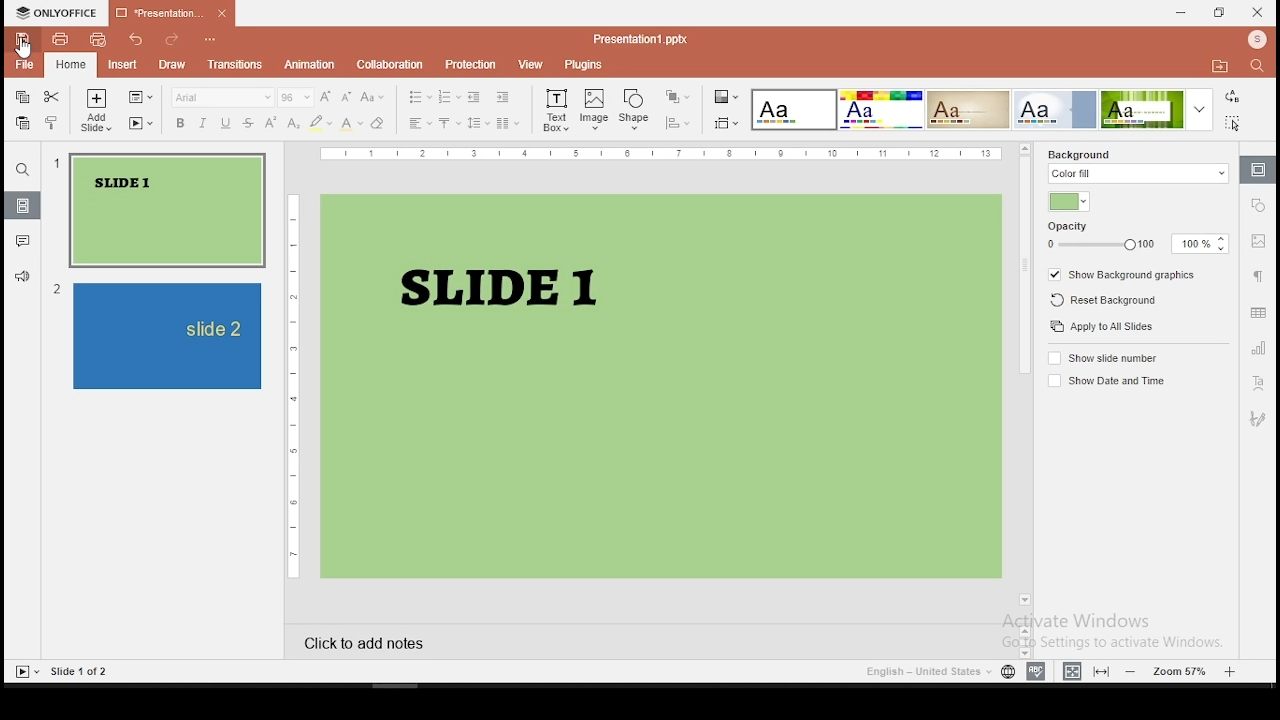 The width and height of the screenshot is (1280, 720). I want to click on change color theme, so click(726, 96).